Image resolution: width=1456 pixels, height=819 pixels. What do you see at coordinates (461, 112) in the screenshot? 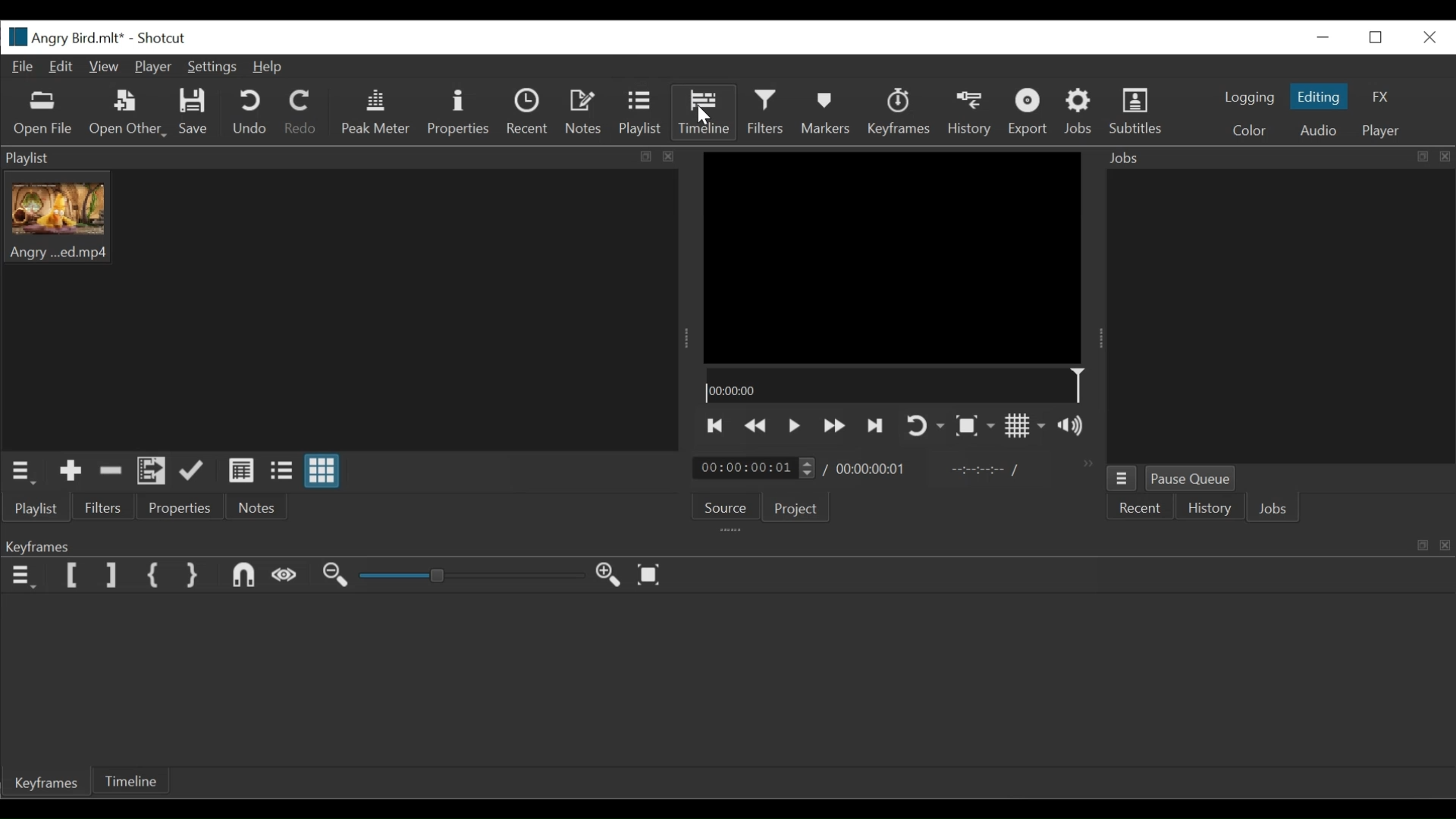
I see `Properties` at bounding box center [461, 112].